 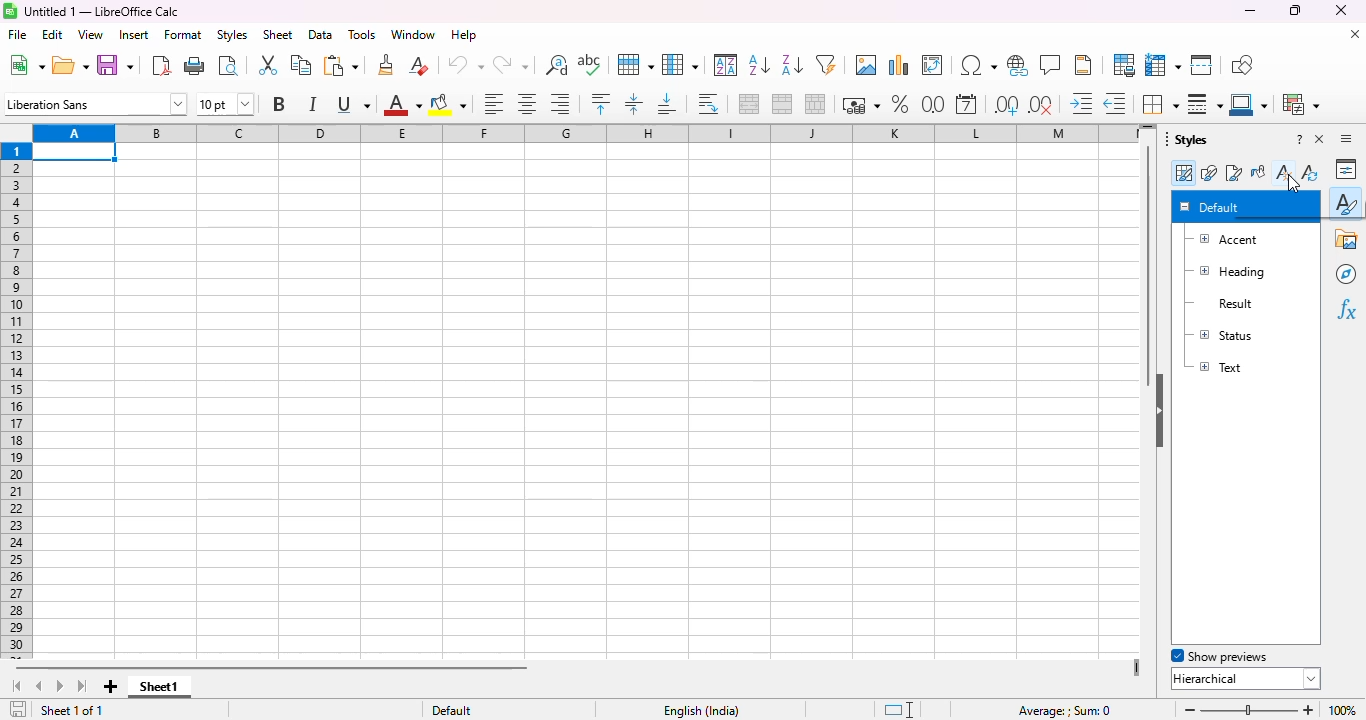 What do you see at coordinates (680, 65) in the screenshot?
I see `column` at bounding box center [680, 65].